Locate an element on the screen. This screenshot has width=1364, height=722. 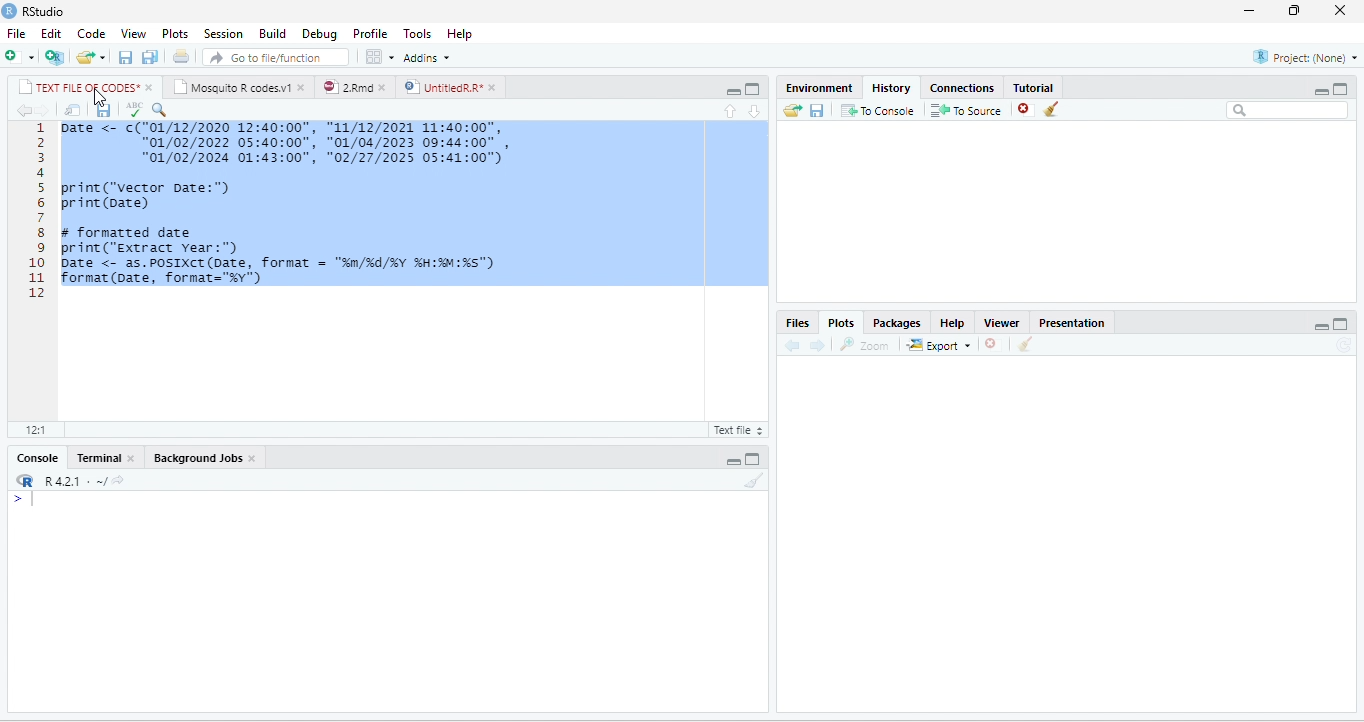
Console is located at coordinates (37, 458).